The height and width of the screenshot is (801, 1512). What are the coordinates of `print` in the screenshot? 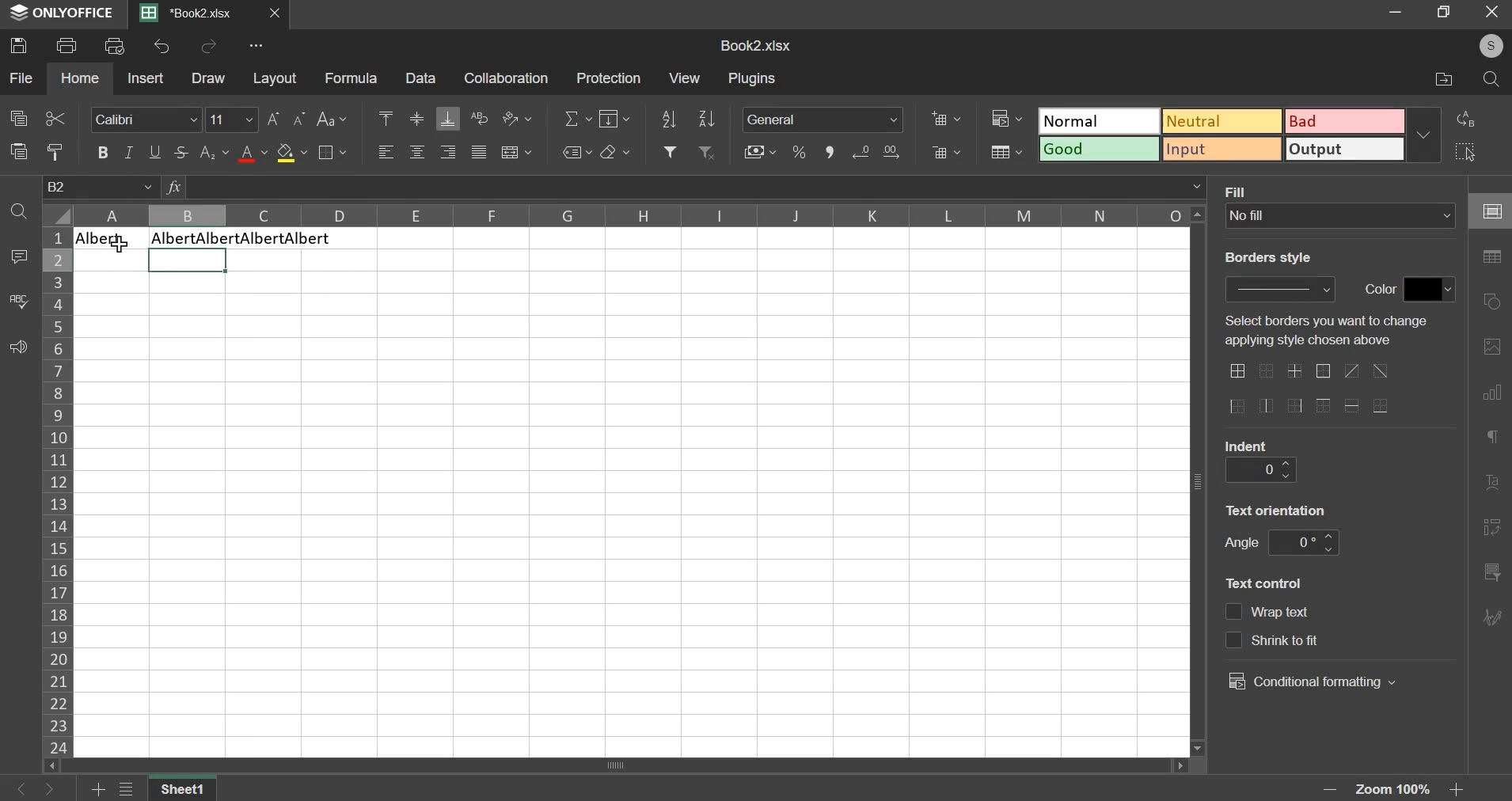 It's located at (67, 44).